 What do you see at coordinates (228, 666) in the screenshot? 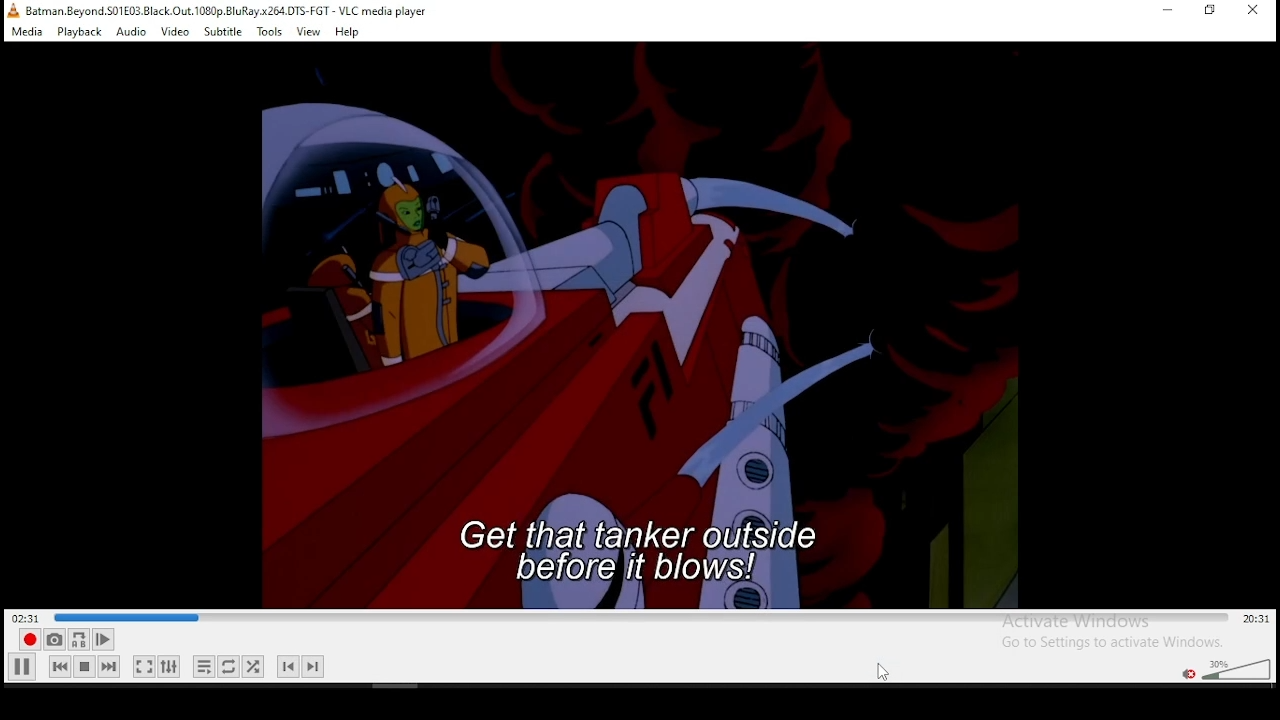
I see `toggle between loop all, loop one, and no loop` at bounding box center [228, 666].